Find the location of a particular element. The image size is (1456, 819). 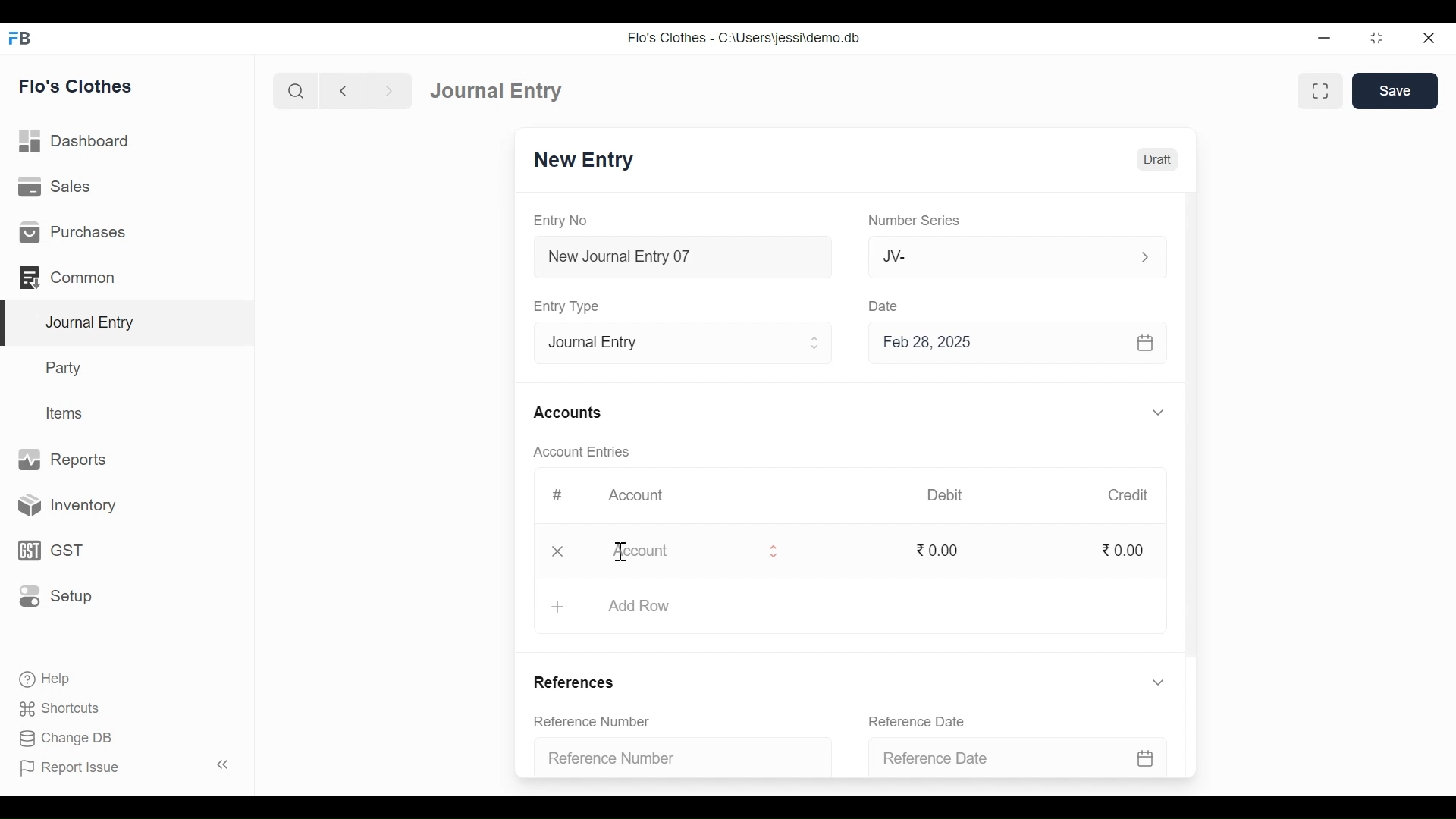

GST is located at coordinates (49, 552).